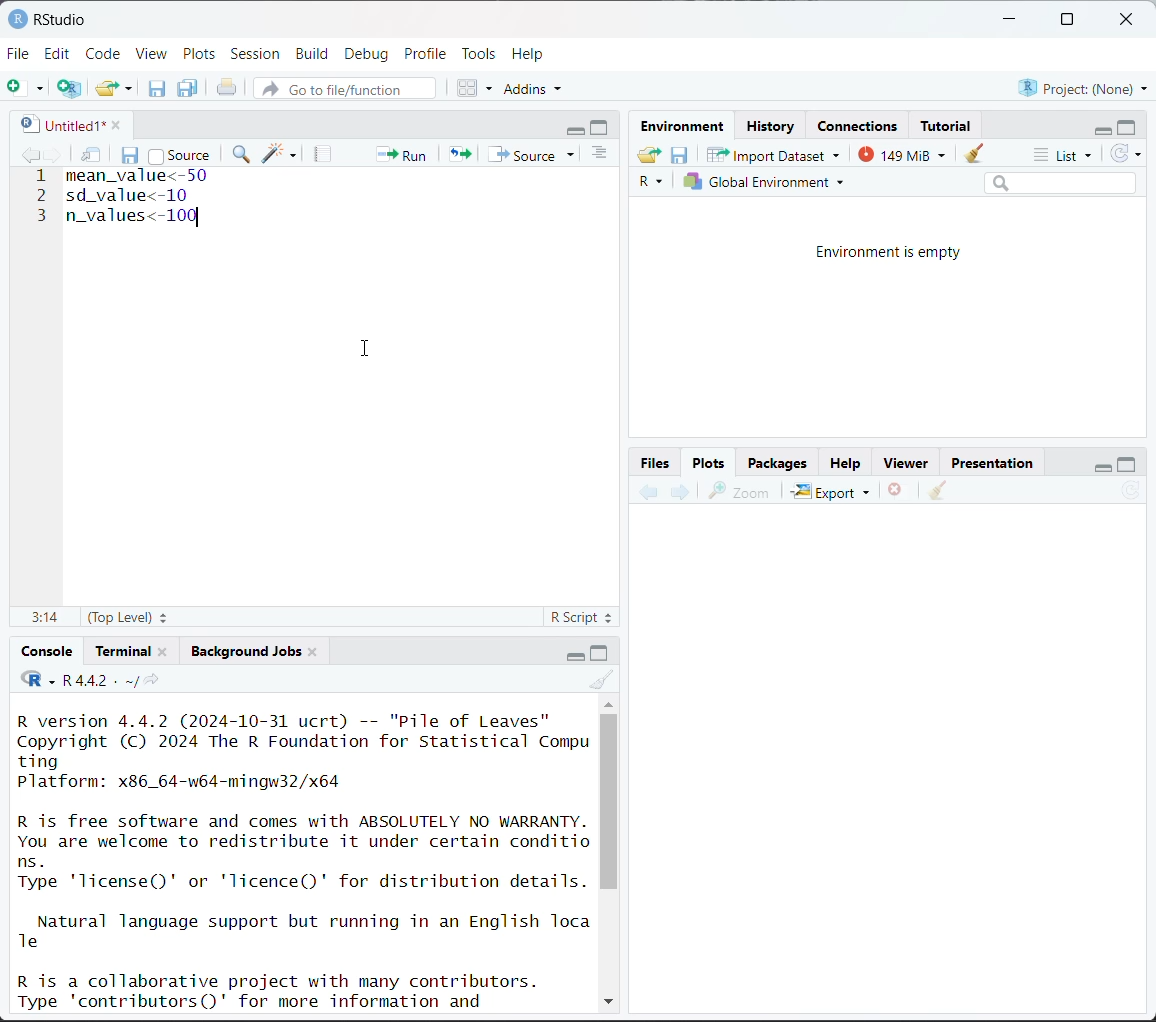  What do you see at coordinates (582, 620) in the screenshot?
I see `R script` at bounding box center [582, 620].